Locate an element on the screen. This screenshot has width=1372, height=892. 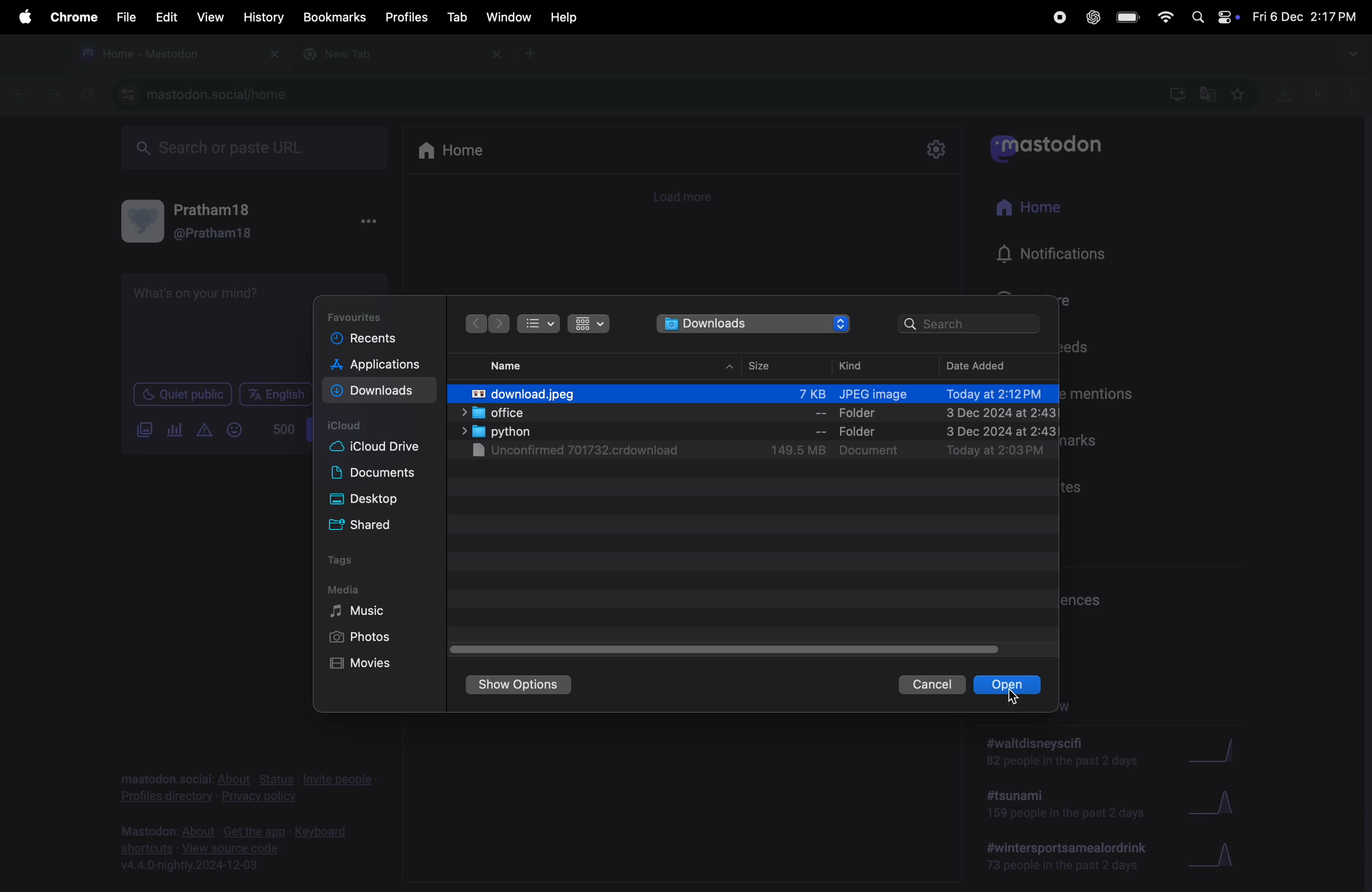
backward is located at coordinates (26, 96).